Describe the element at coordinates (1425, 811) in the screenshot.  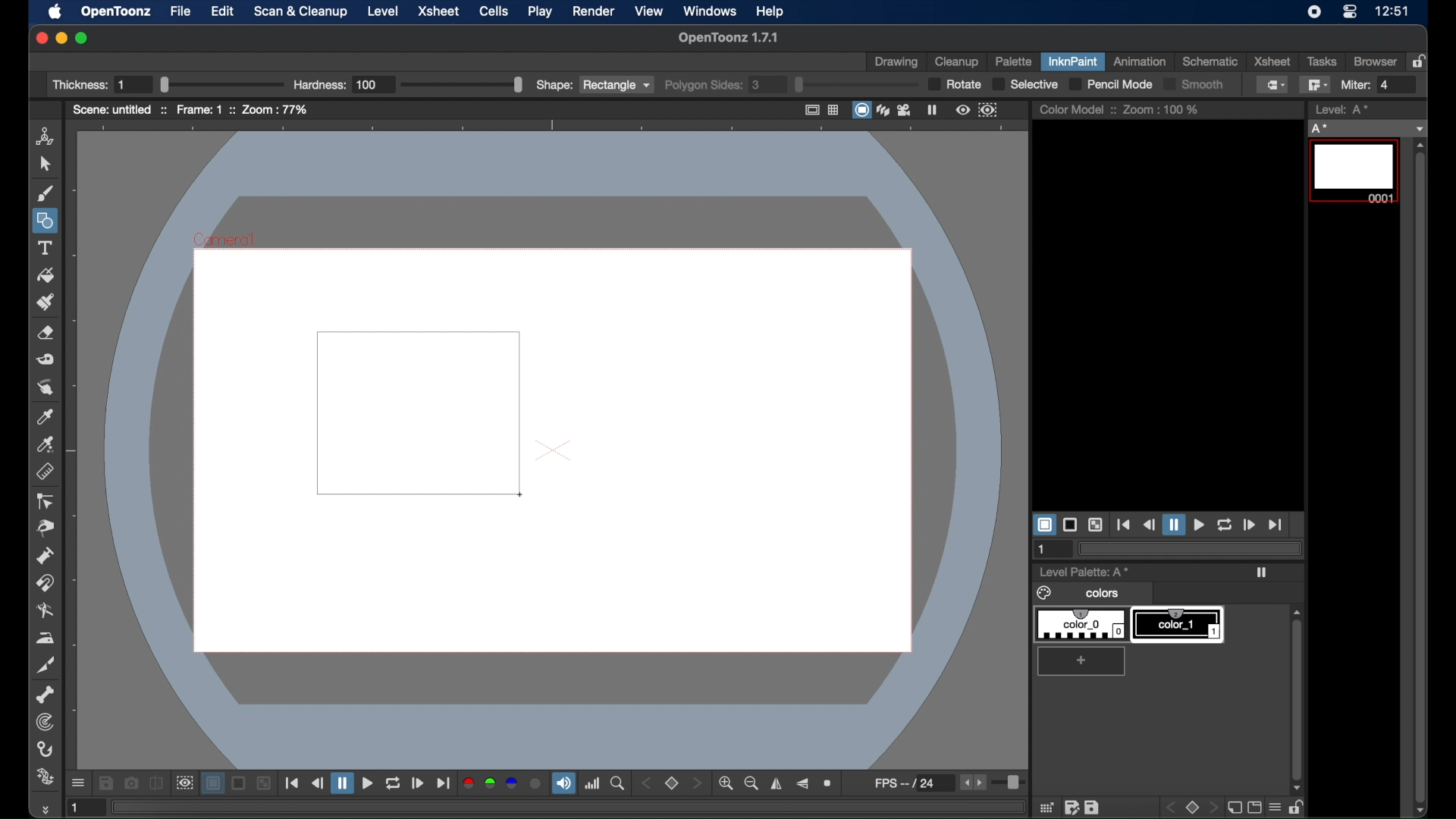
I see `scroll down arrow` at that location.